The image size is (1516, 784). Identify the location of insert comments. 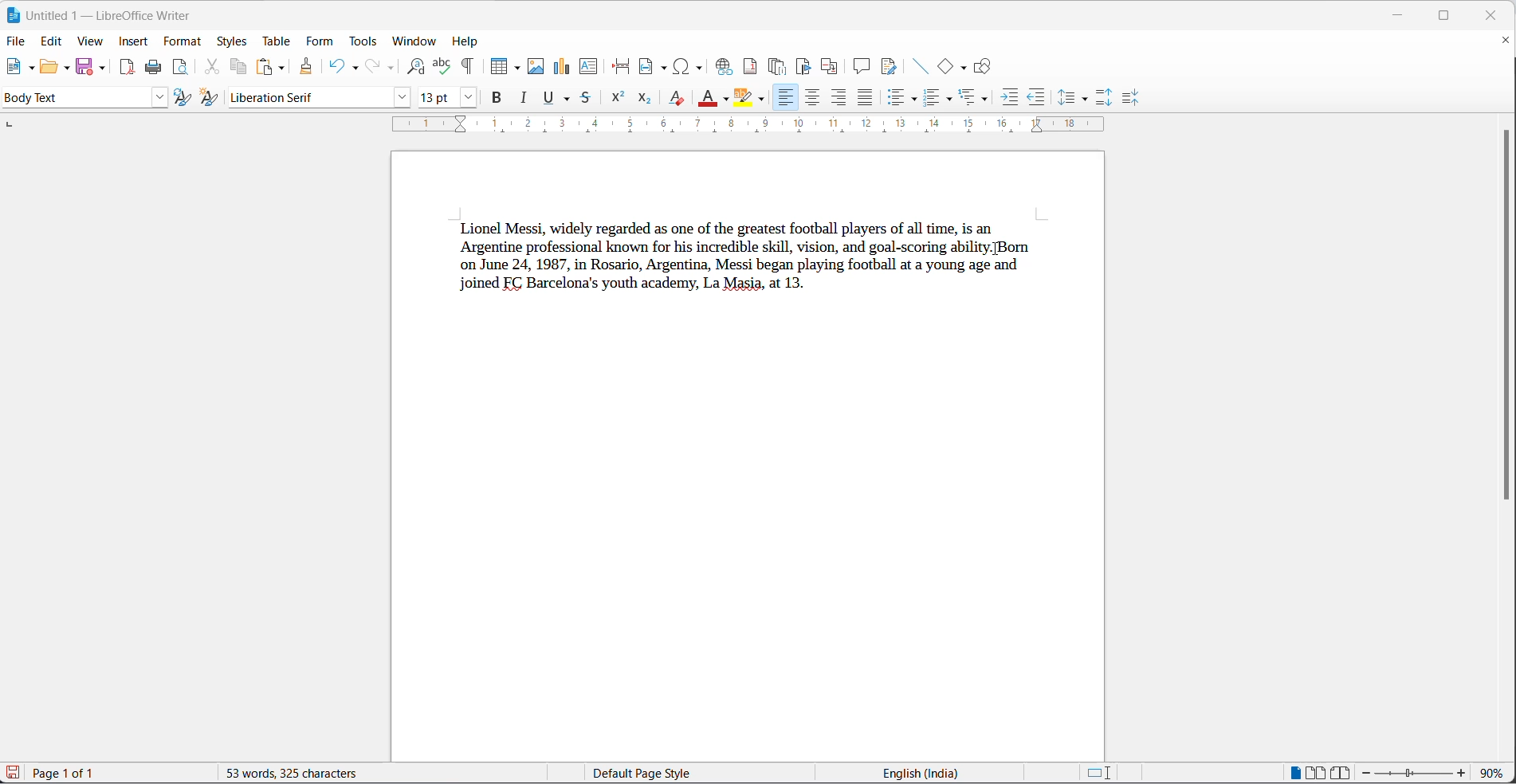
(860, 68).